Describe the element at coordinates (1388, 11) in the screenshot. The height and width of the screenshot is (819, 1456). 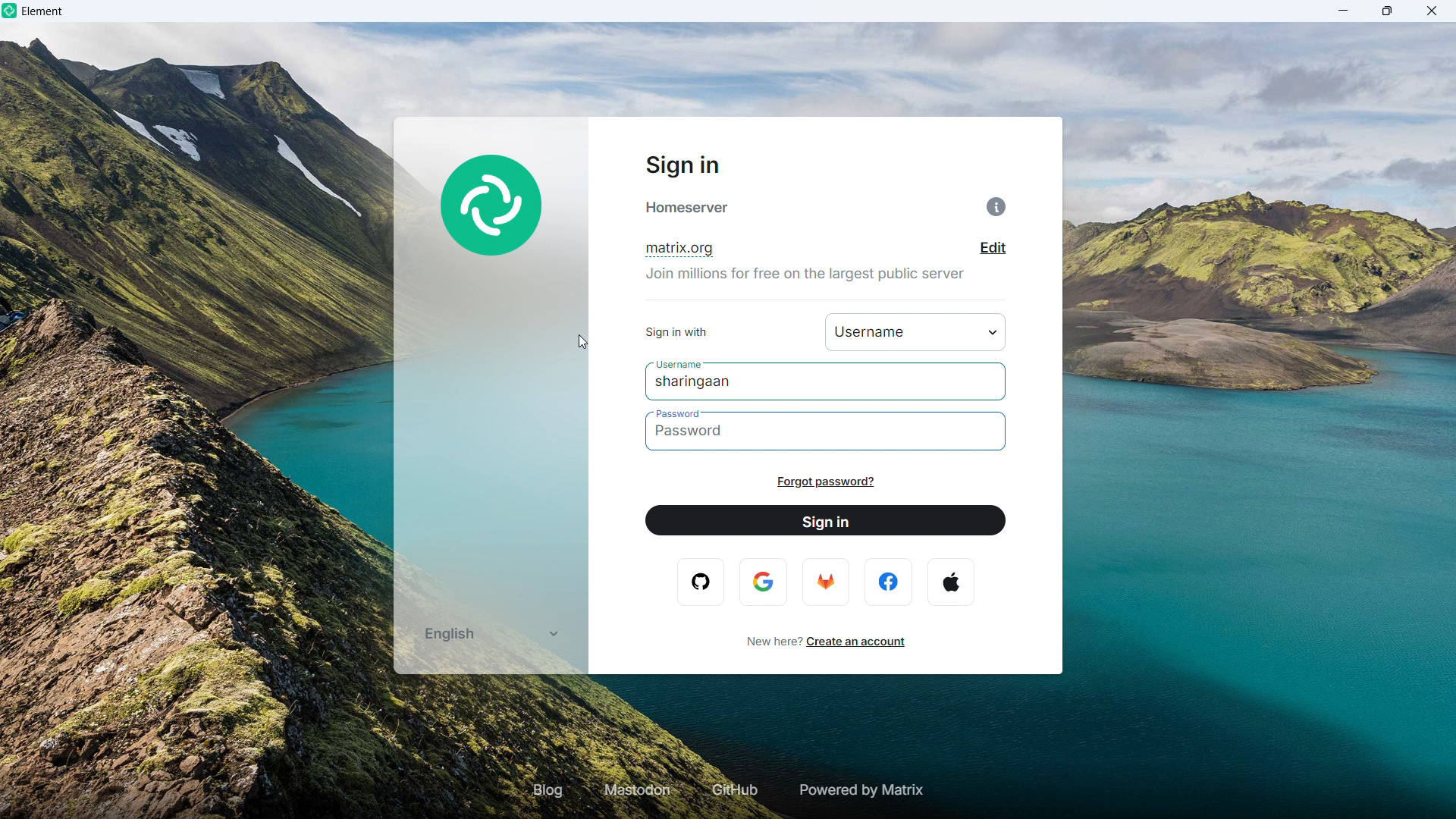
I see `maximize` at that location.